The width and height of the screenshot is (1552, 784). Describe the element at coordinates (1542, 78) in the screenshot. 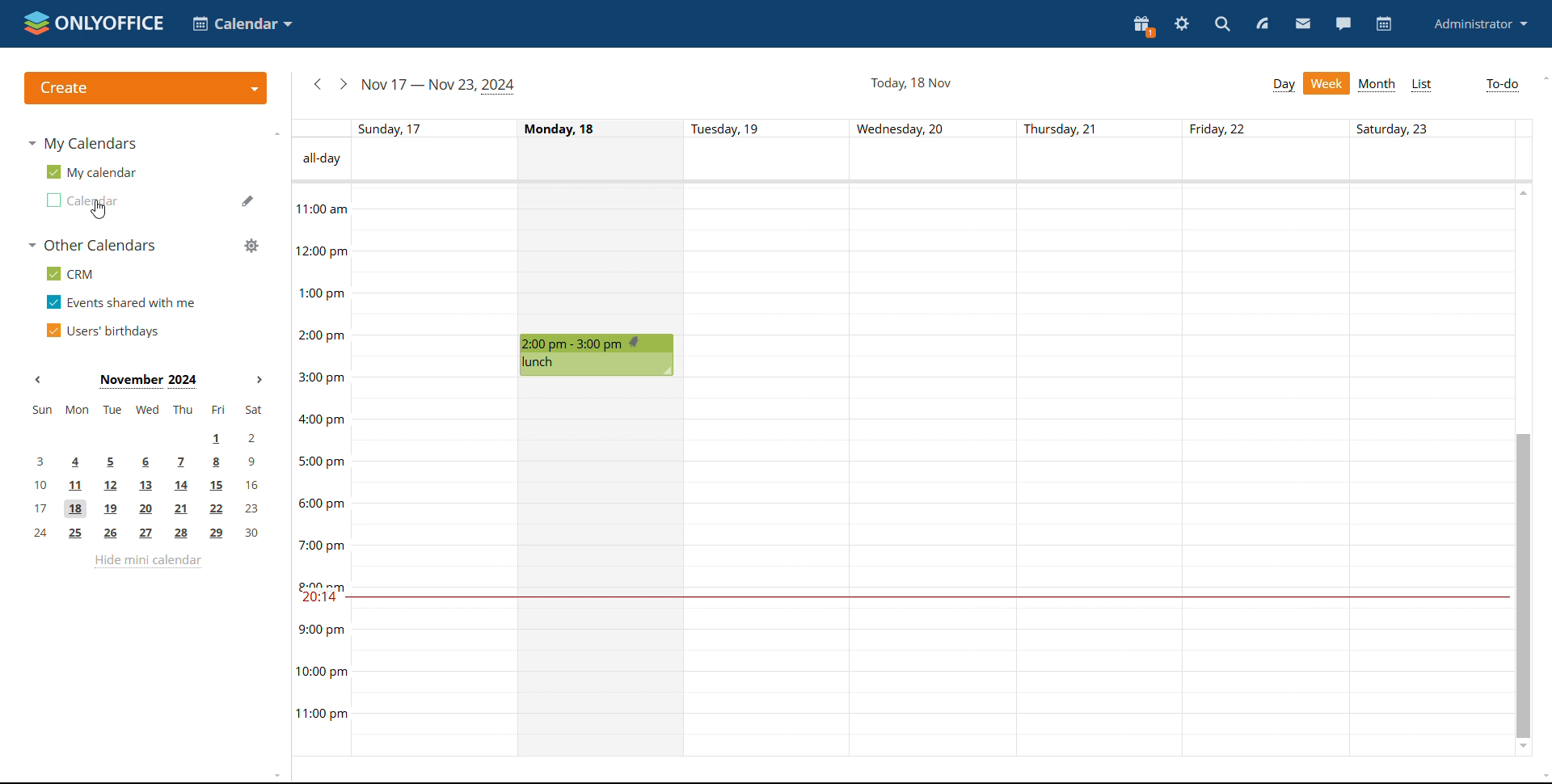

I see `scroll up` at that location.